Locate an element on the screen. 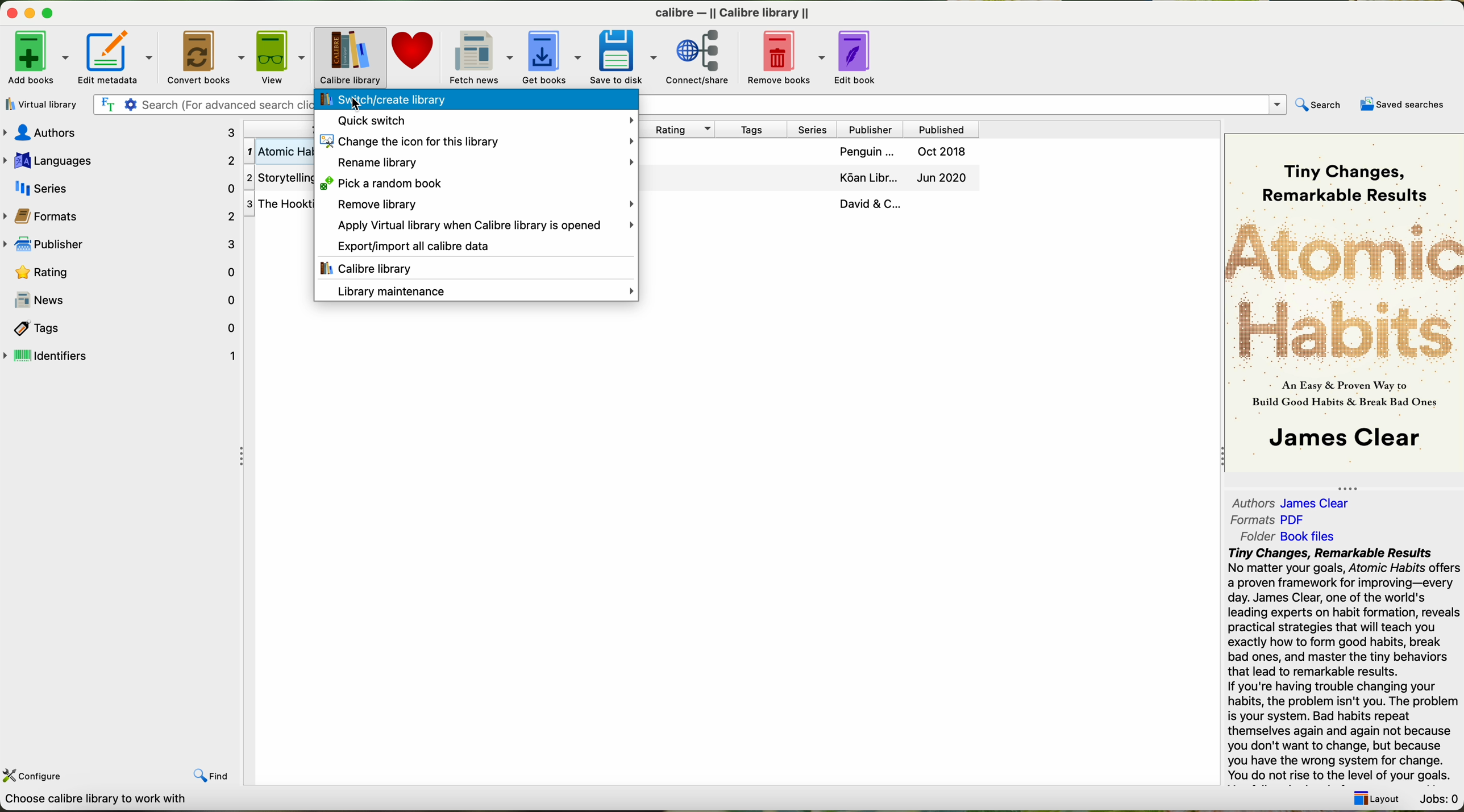  virtual library is located at coordinates (39, 104).